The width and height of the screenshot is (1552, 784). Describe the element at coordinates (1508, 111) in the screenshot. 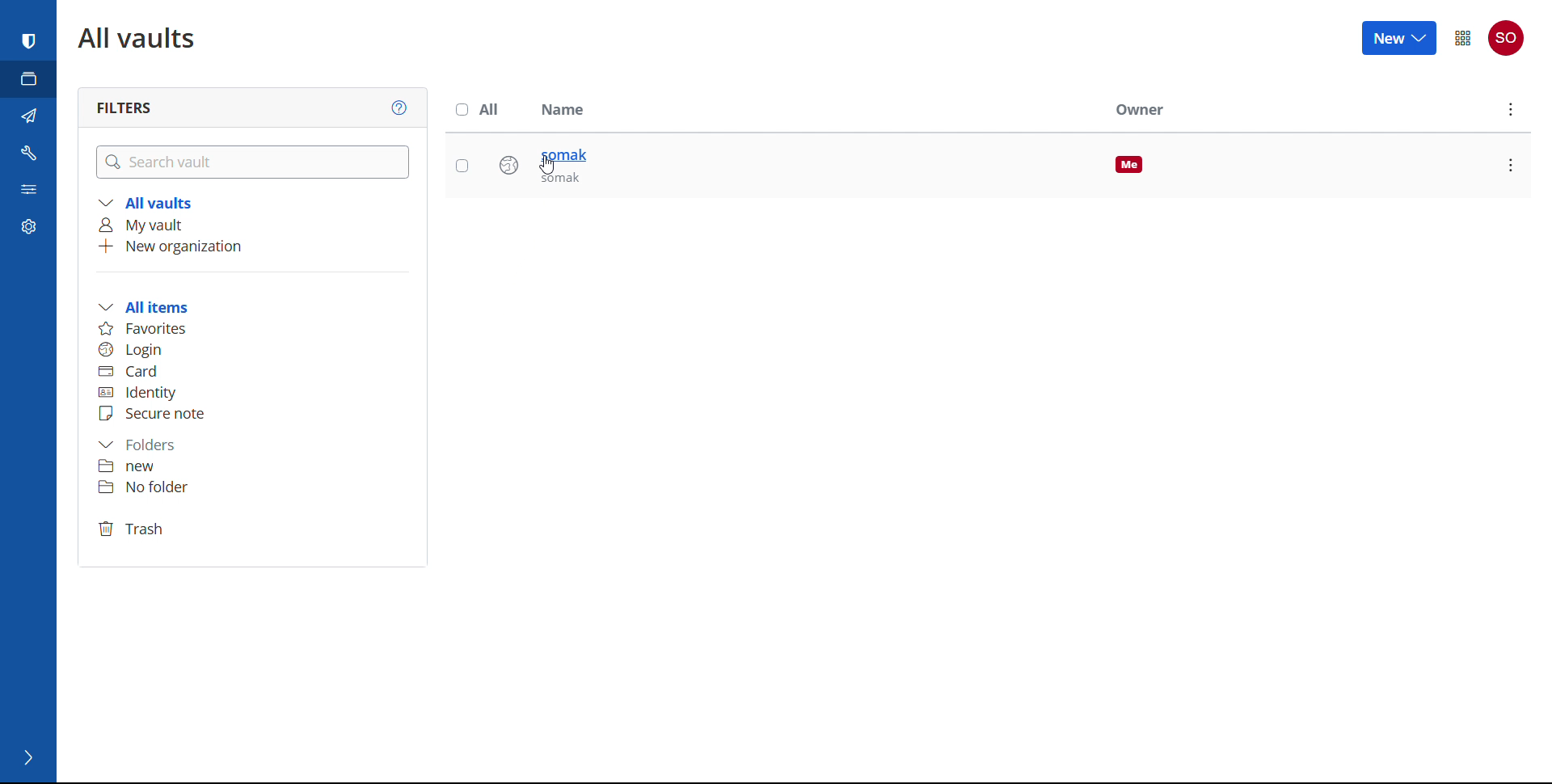

I see `options` at that location.